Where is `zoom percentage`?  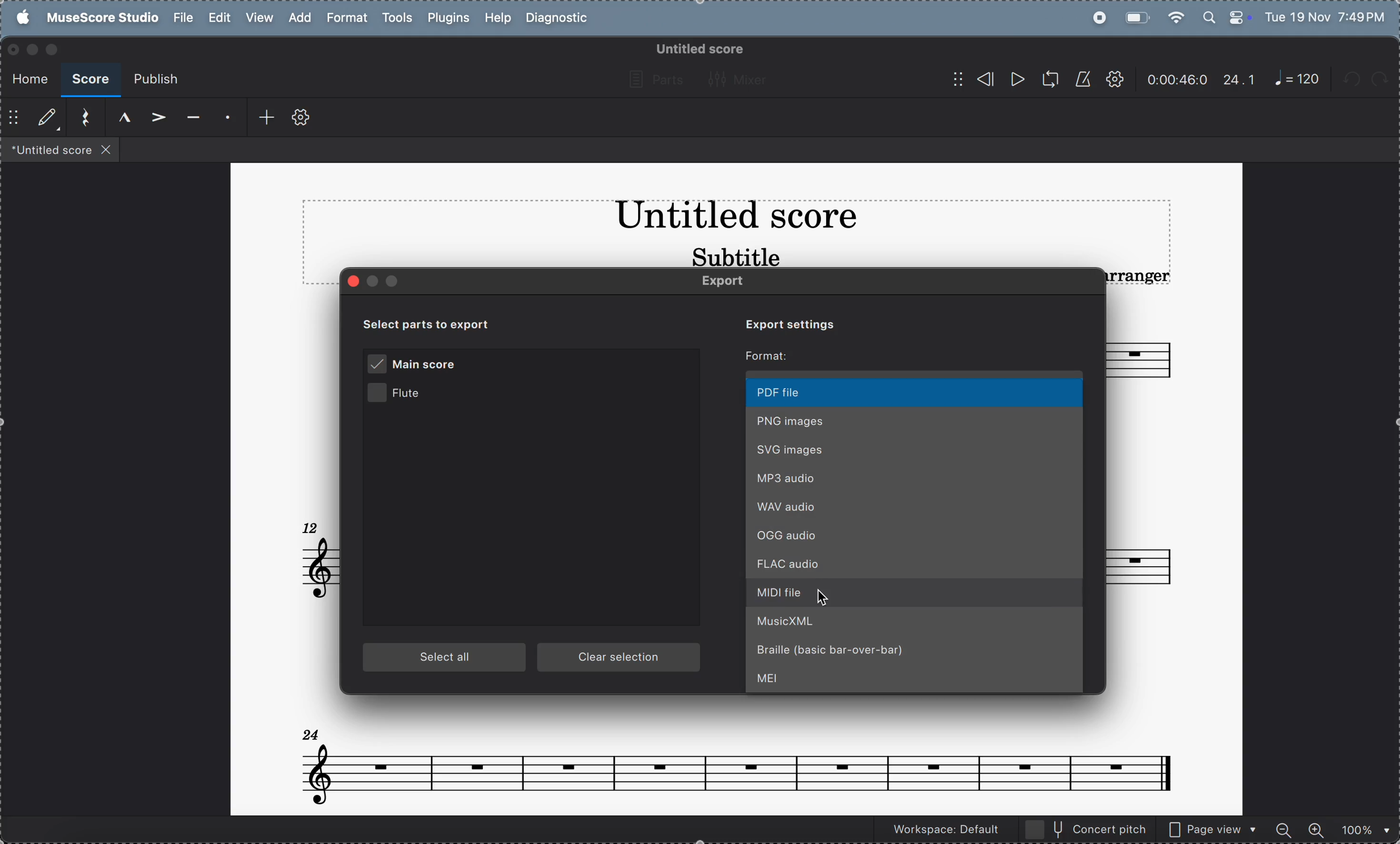 zoom percentage is located at coordinates (1362, 829).